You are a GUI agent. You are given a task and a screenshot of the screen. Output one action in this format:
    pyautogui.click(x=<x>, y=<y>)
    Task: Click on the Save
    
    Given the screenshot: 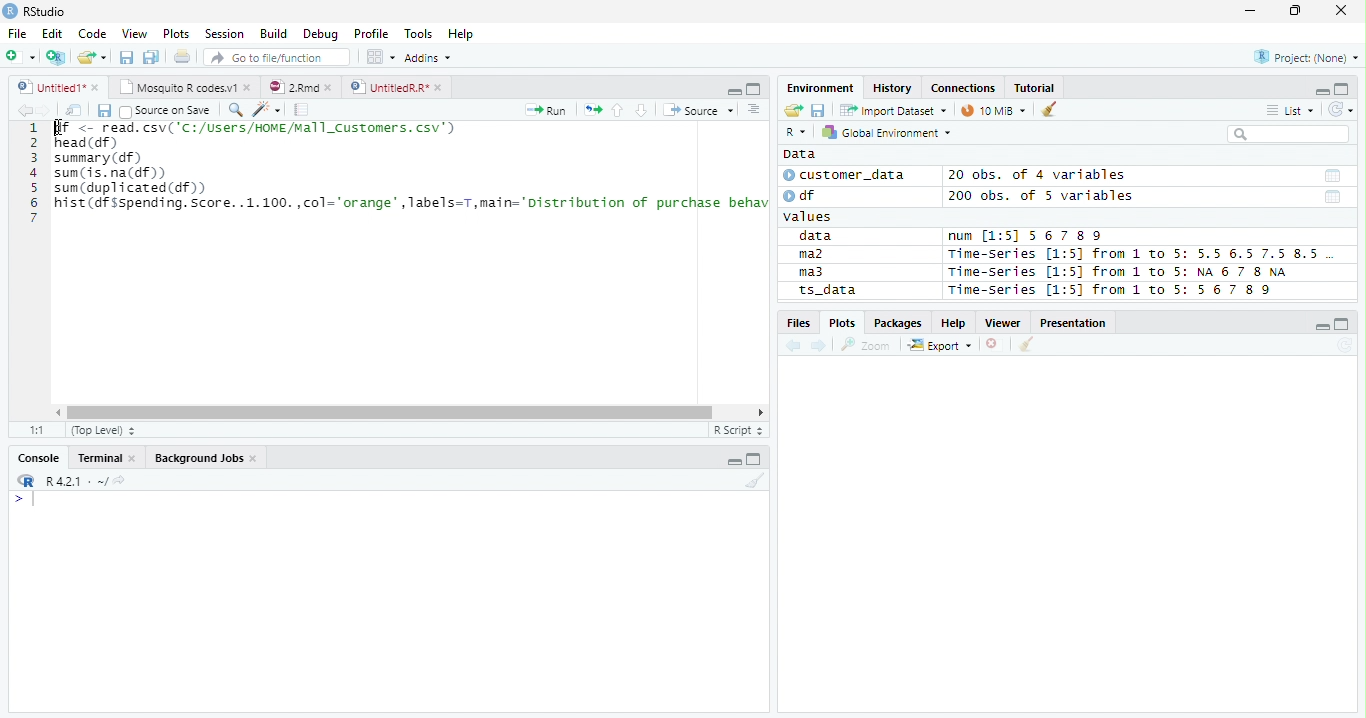 What is the action you would take?
    pyautogui.click(x=126, y=56)
    